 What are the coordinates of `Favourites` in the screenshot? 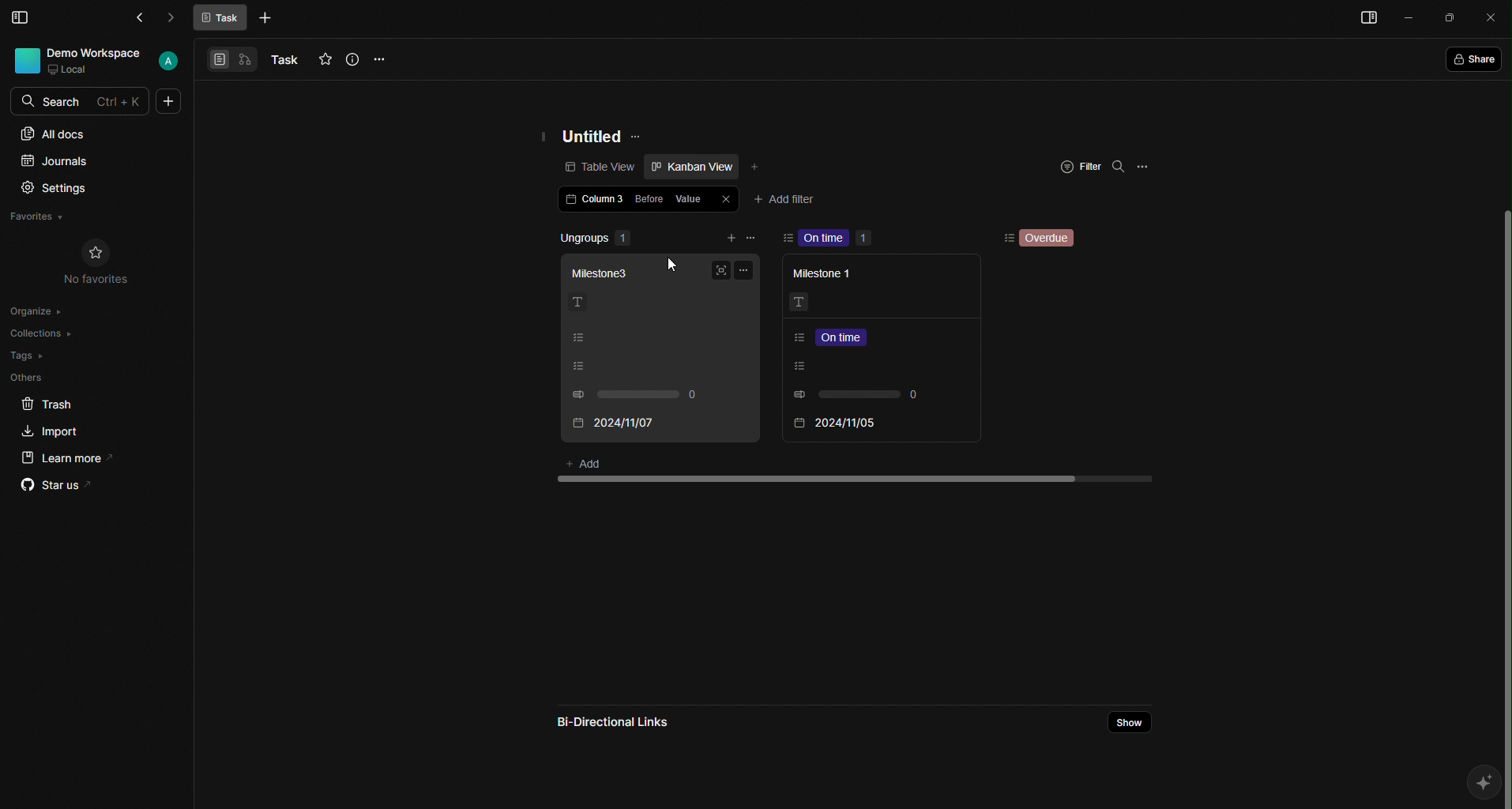 It's located at (325, 58).